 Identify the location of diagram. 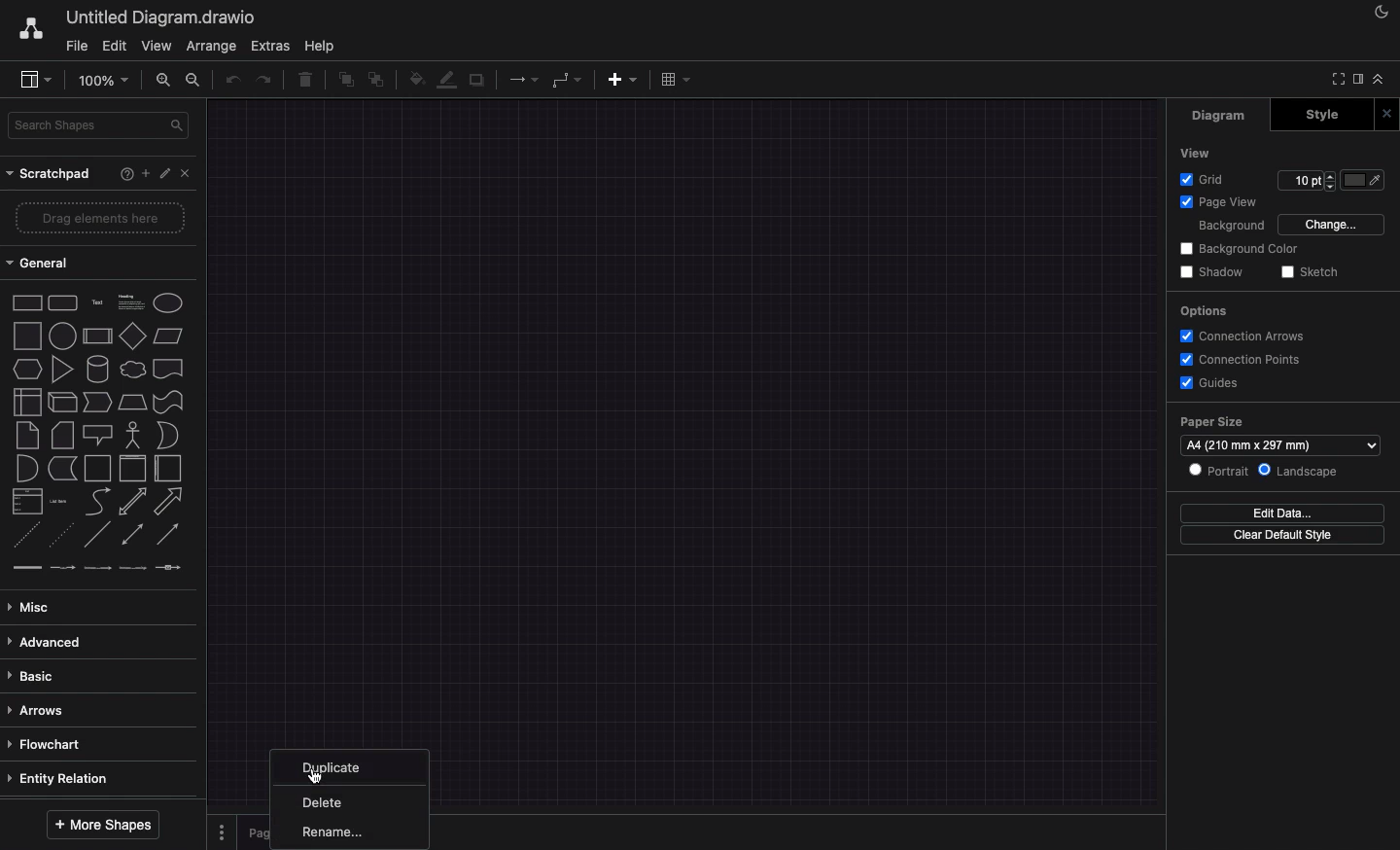
(1220, 117).